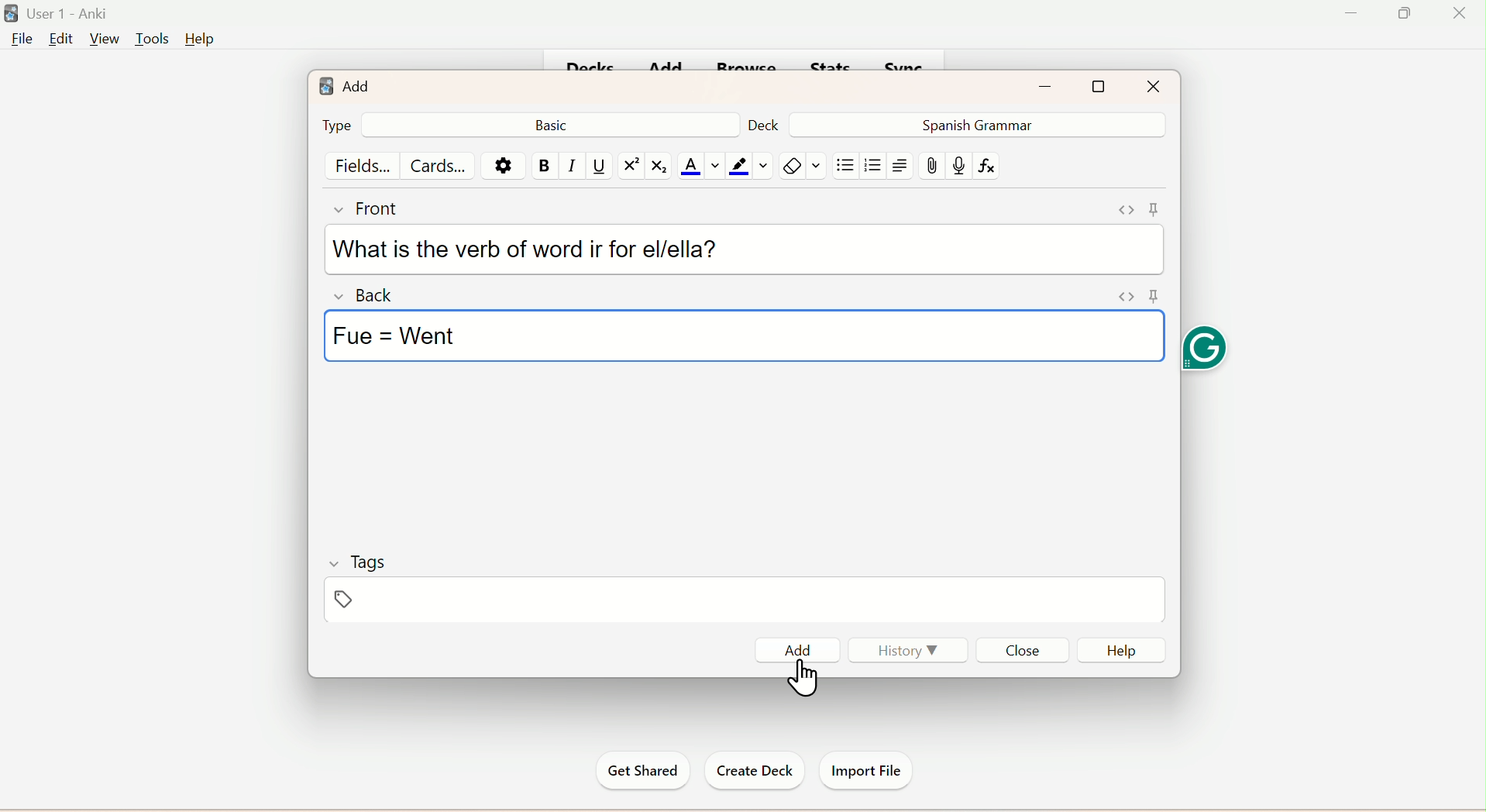  What do you see at coordinates (807, 685) in the screenshot?
I see `cursor` at bounding box center [807, 685].